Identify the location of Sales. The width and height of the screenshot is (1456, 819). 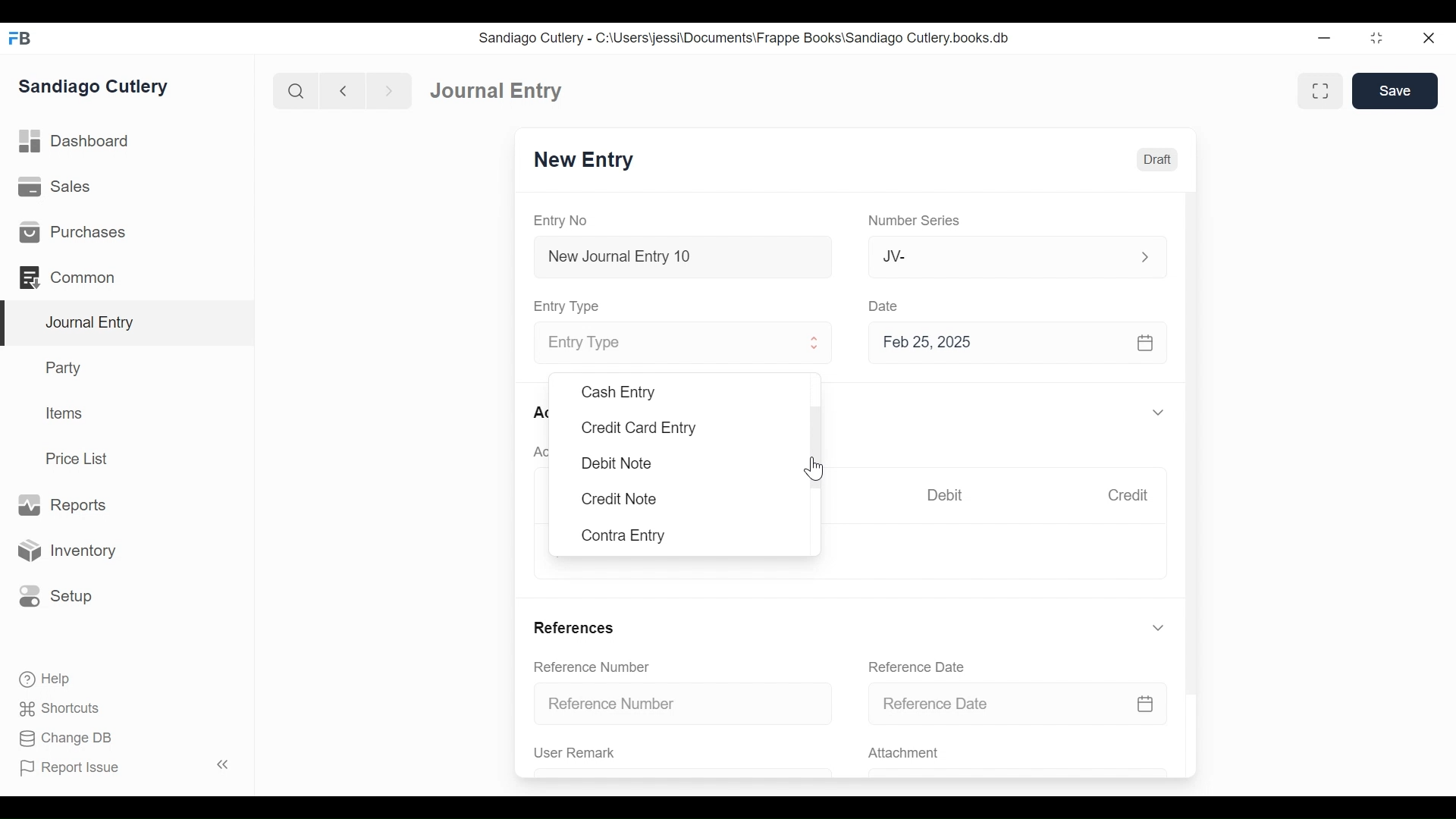
(53, 188).